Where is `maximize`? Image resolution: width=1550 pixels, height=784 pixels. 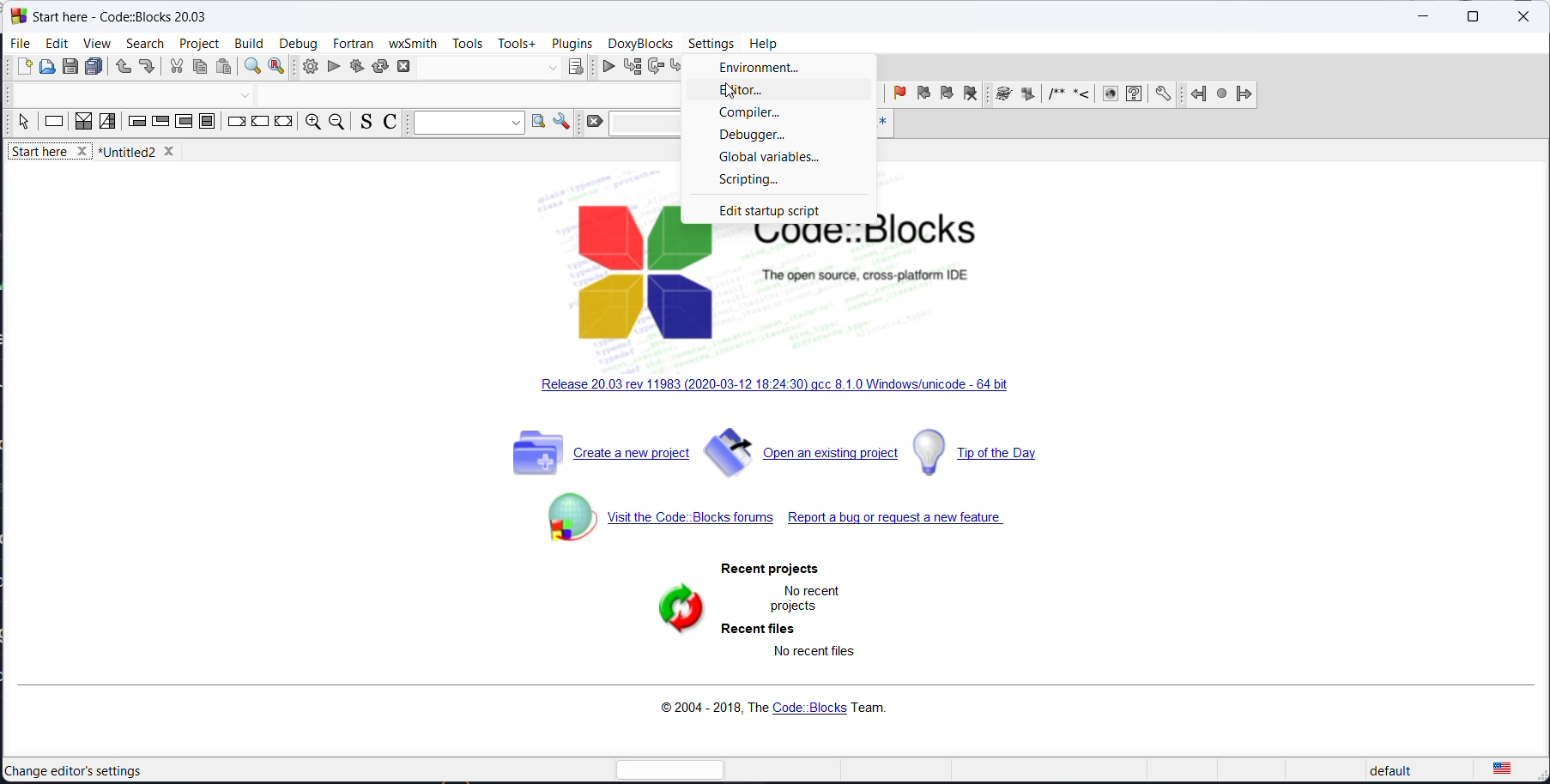 maximize is located at coordinates (1471, 17).